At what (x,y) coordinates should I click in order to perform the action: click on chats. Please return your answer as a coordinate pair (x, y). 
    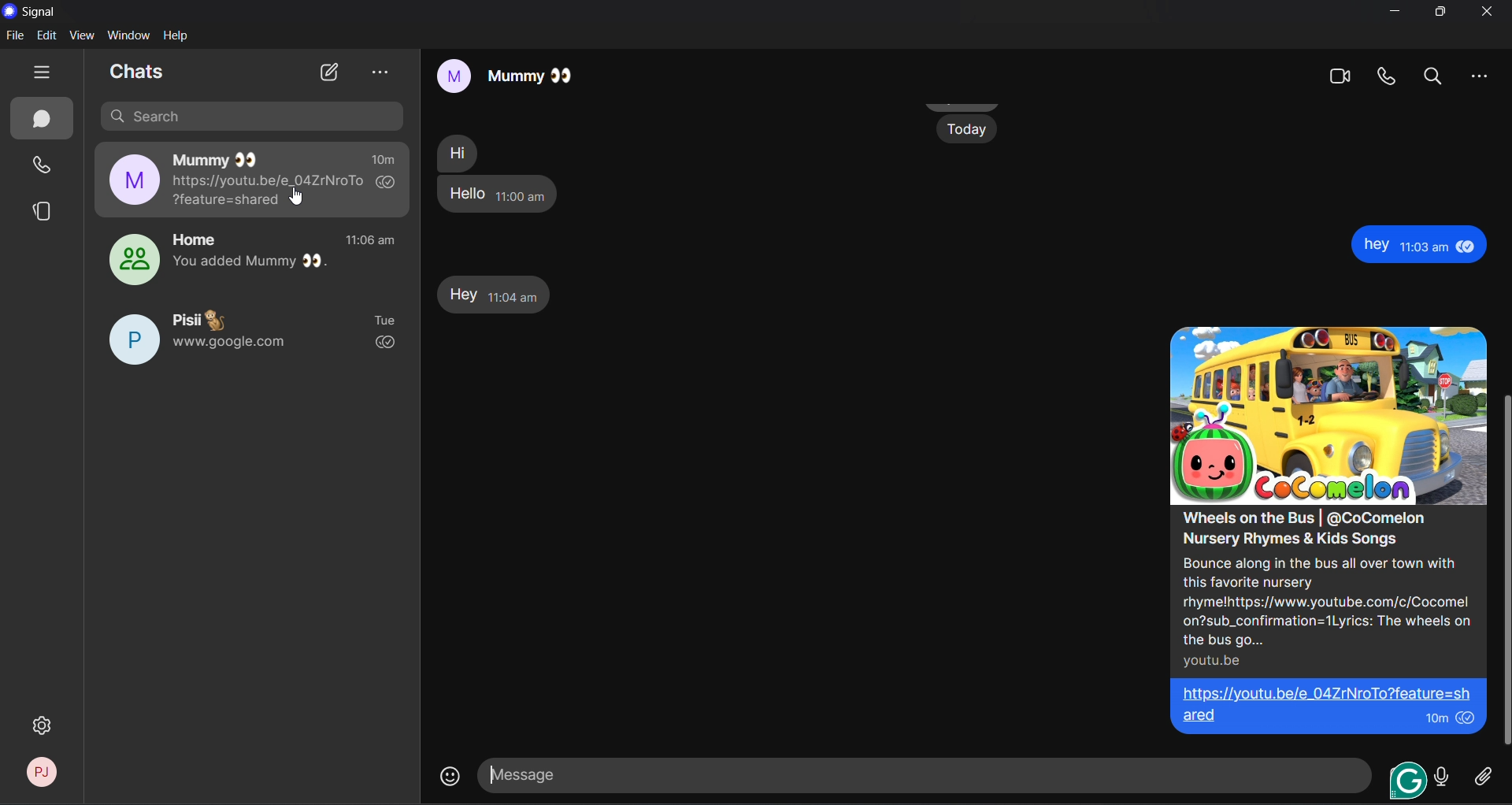
    Looking at the image, I should click on (39, 118).